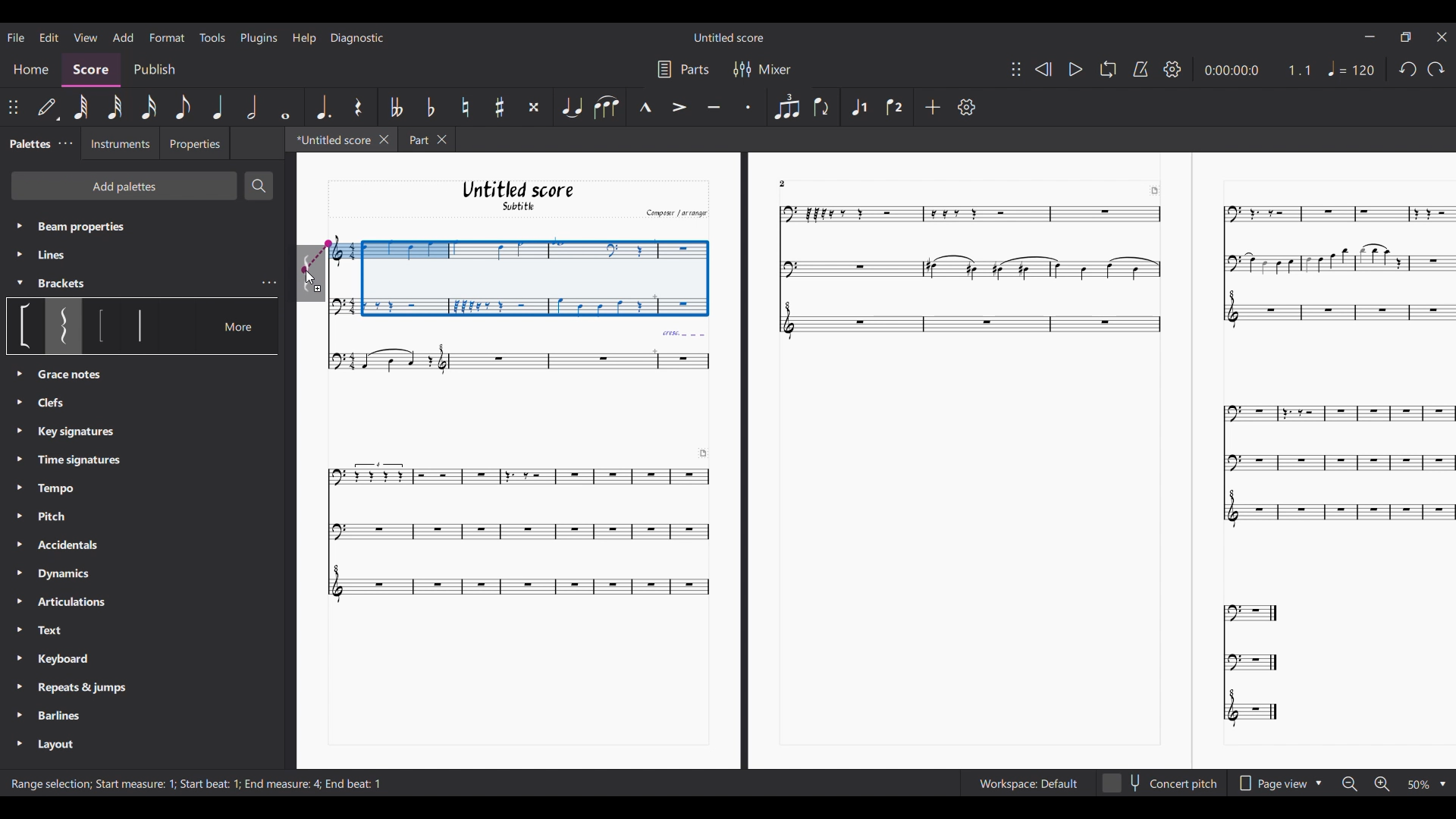 Image resolution: width=1456 pixels, height=819 pixels. What do you see at coordinates (14, 224) in the screenshot?
I see `` at bounding box center [14, 224].